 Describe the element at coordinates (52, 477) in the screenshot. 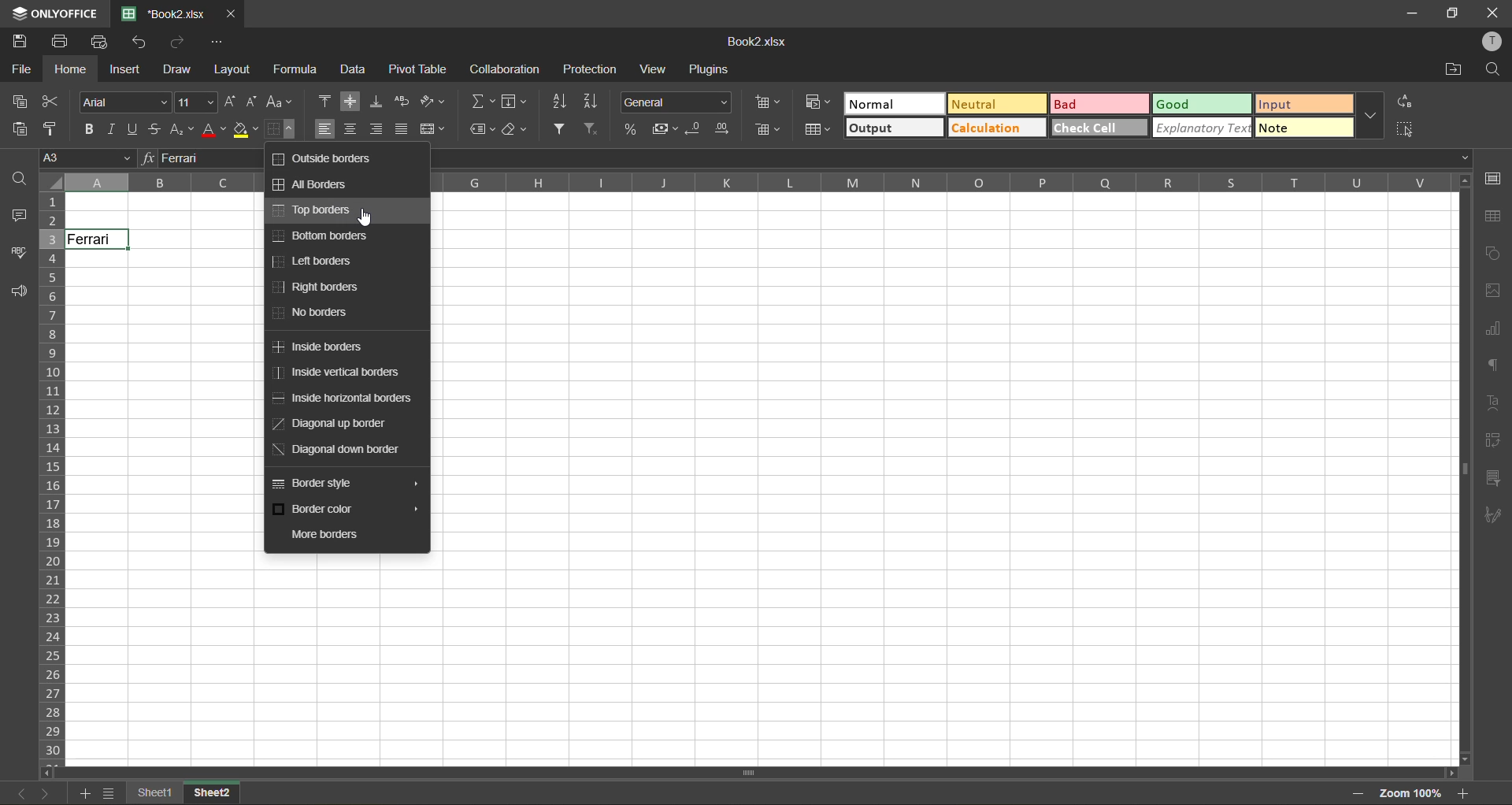

I see `row numbers` at that location.